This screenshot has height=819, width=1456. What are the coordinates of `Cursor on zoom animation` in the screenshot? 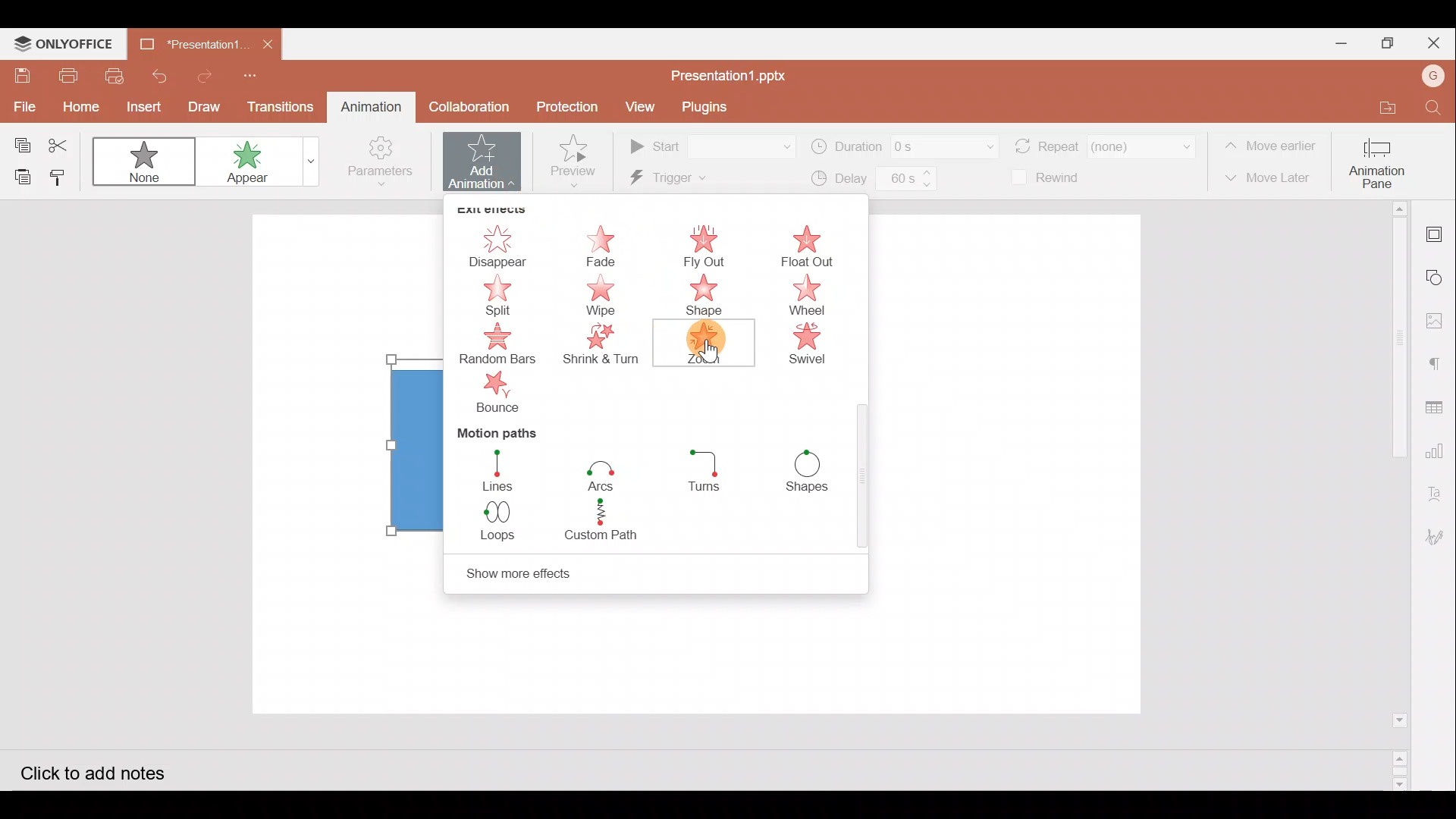 It's located at (707, 361).